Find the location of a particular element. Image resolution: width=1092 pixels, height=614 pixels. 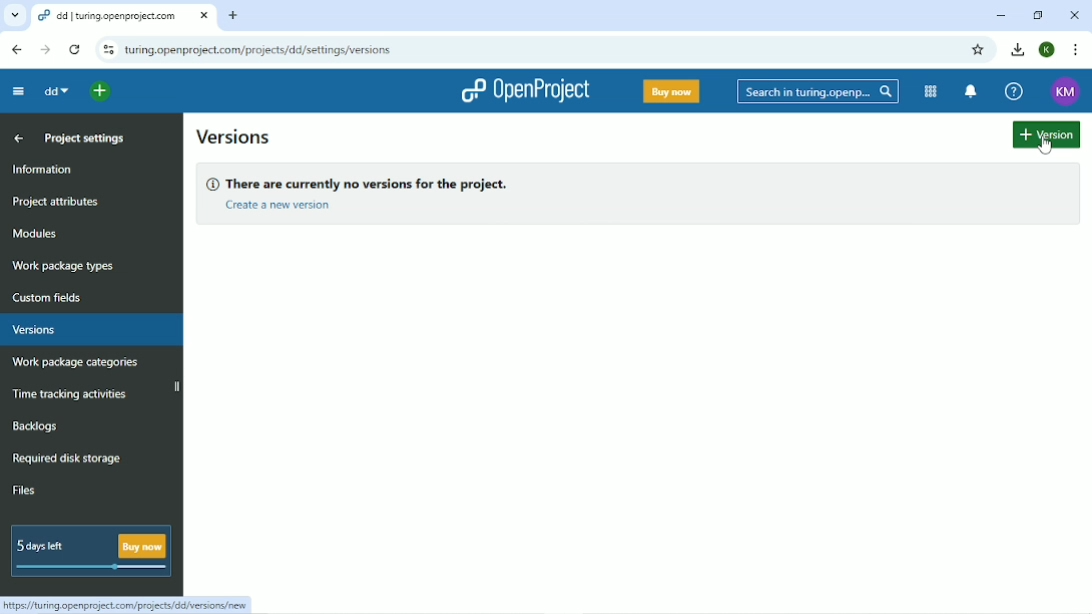

Forward is located at coordinates (46, 49).